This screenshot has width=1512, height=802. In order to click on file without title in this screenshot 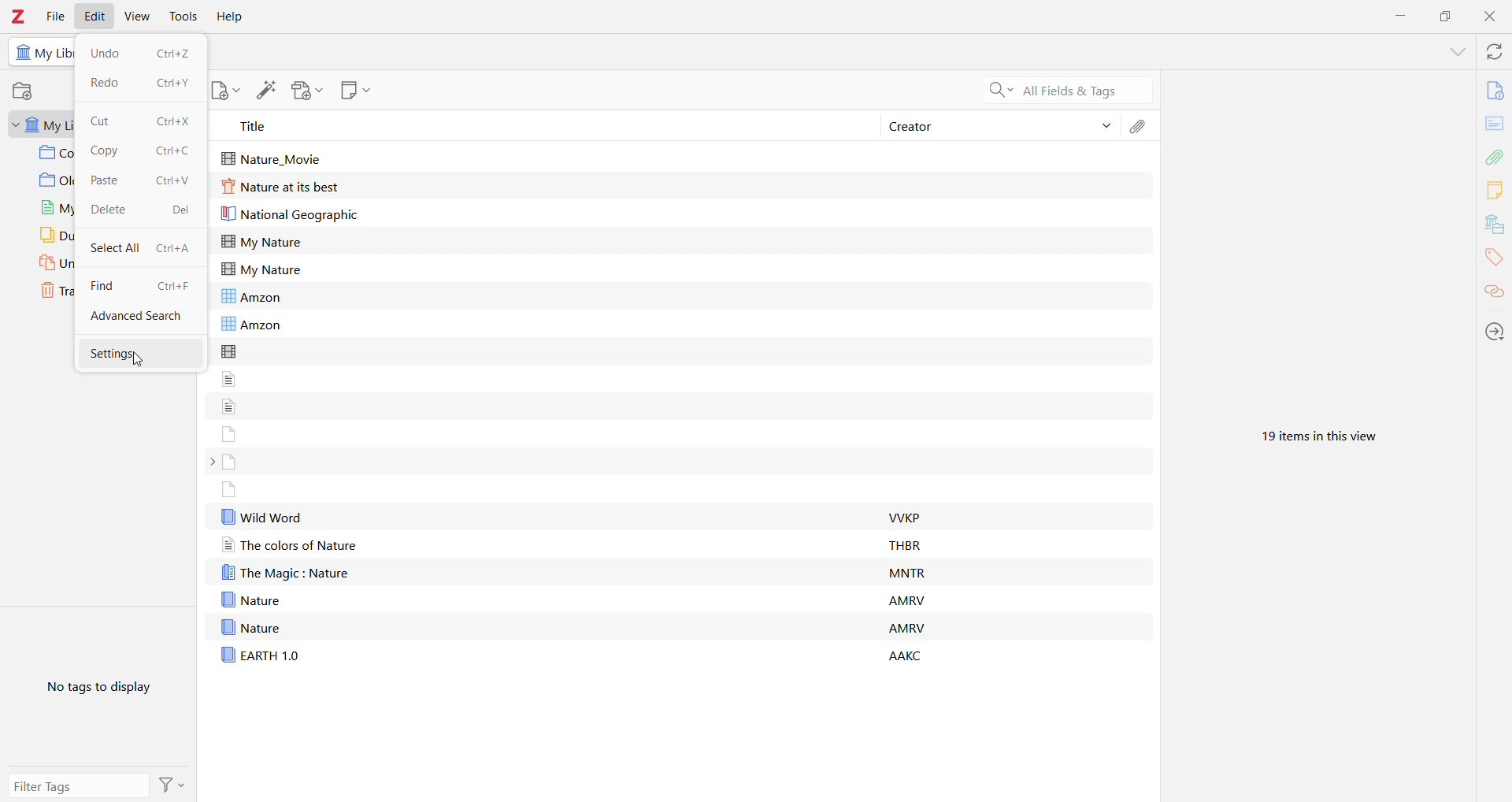, I will do `click(229, 405)`.